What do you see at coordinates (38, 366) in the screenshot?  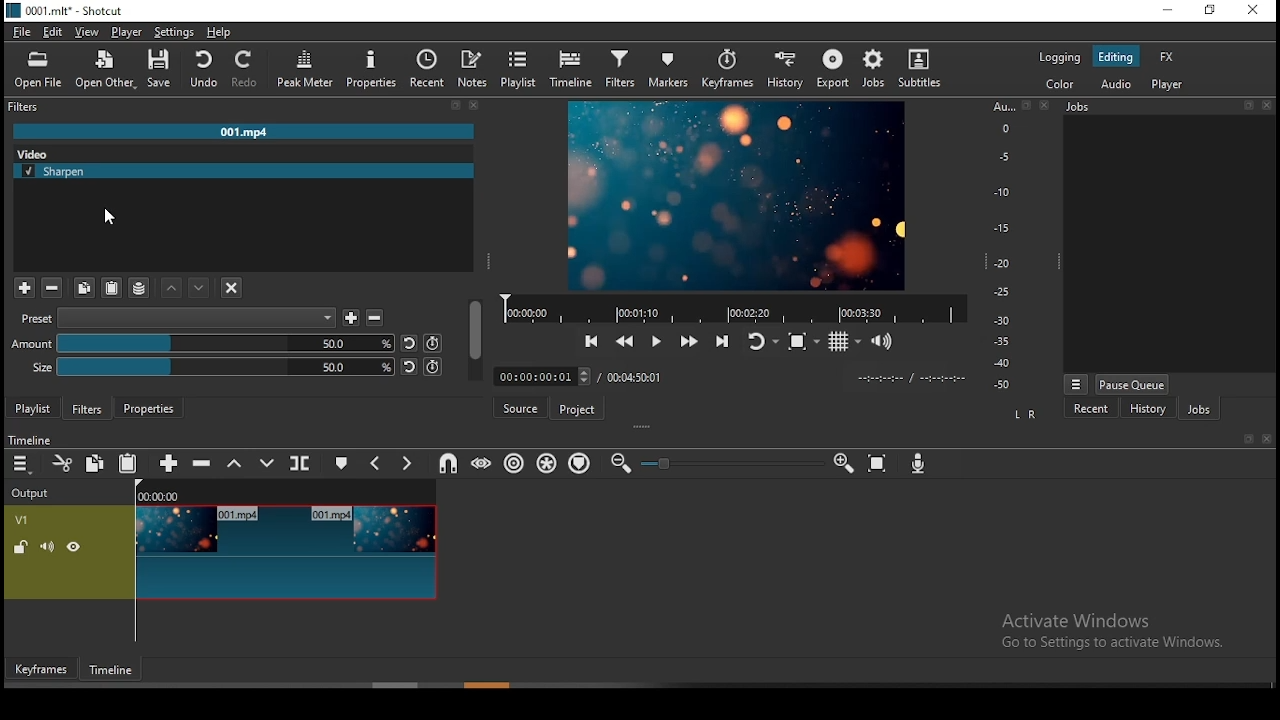 I see `Size` at bounding box center [38, 366].